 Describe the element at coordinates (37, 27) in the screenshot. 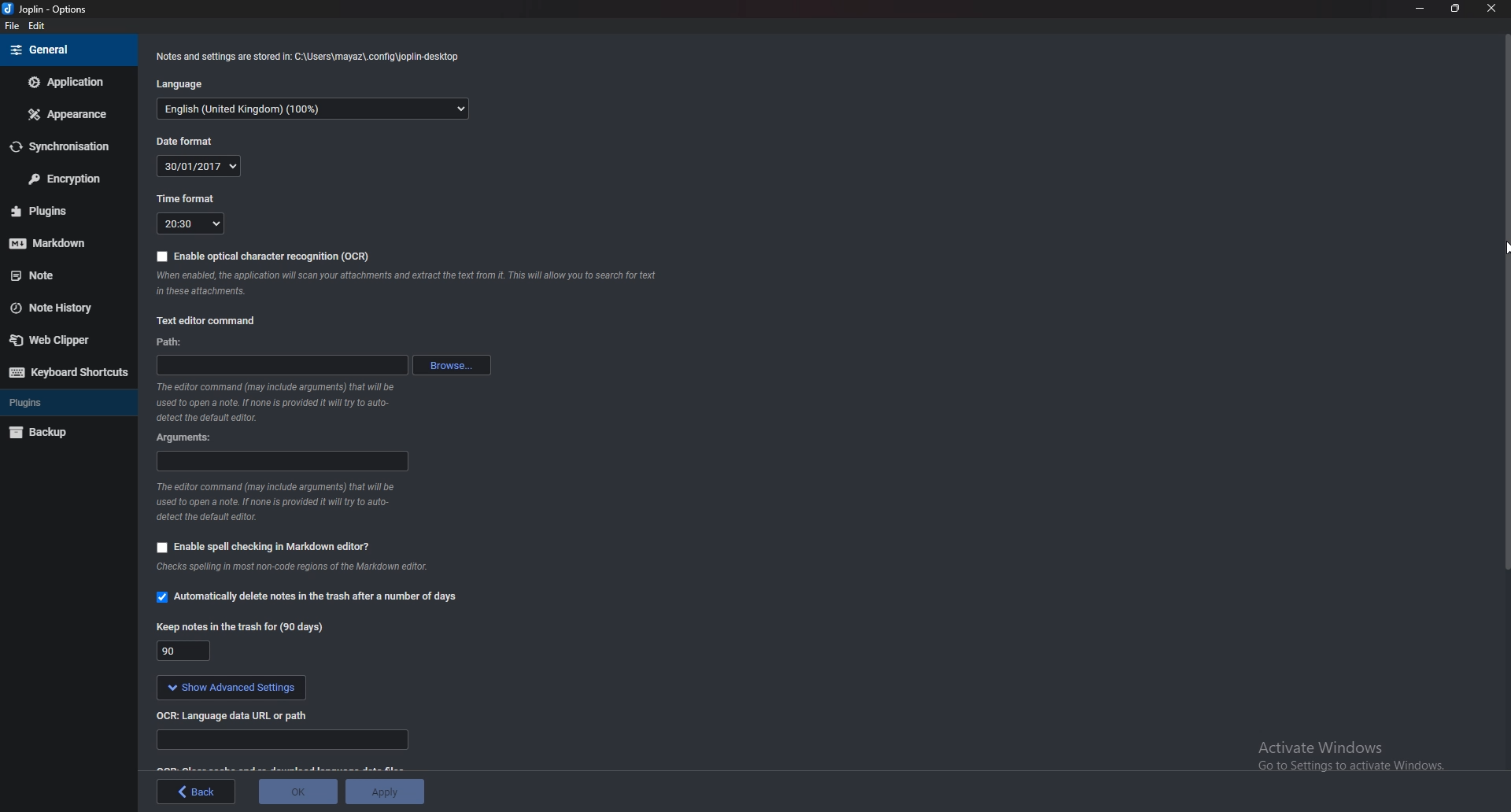

I see `edit` at that location.